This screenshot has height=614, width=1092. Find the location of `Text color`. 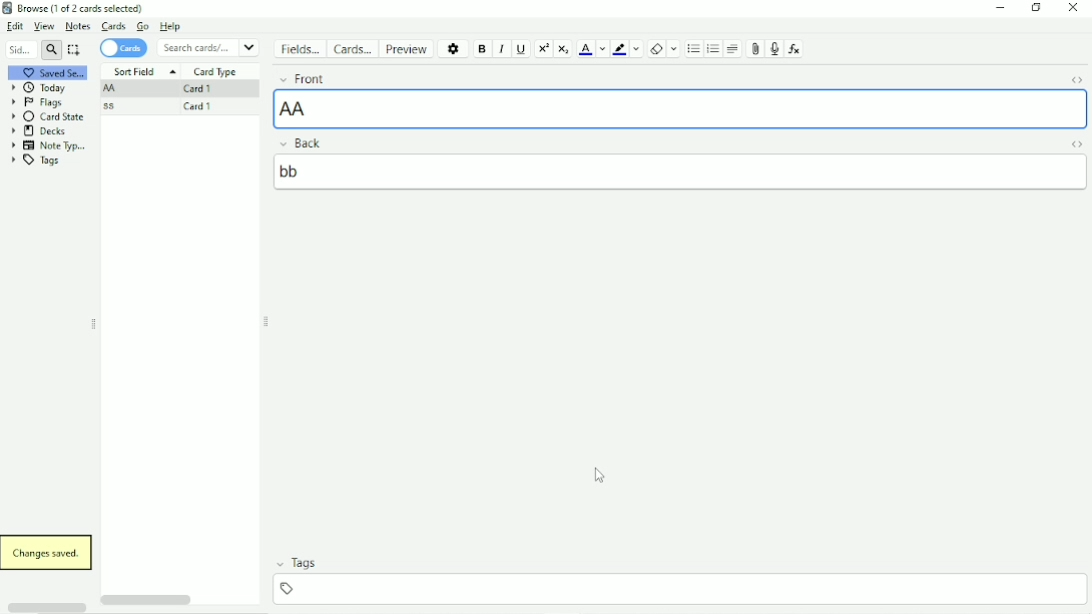

Text color is located at coordinates (585, 48).